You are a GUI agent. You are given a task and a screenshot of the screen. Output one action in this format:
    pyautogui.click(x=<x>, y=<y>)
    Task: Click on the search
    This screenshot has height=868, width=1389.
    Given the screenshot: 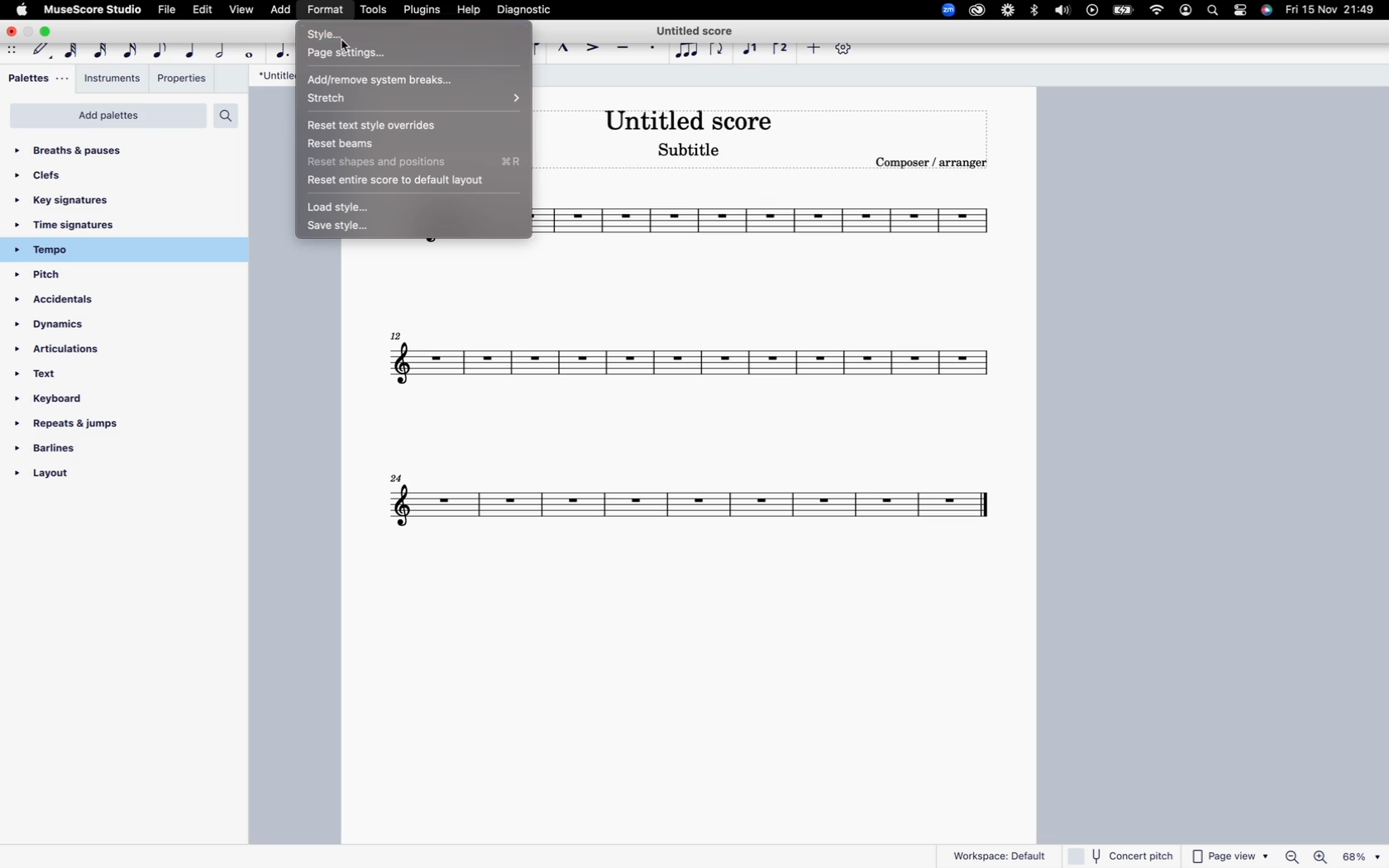 What is the action you would take?
    pyautogui.click(x=225, y=115)
    